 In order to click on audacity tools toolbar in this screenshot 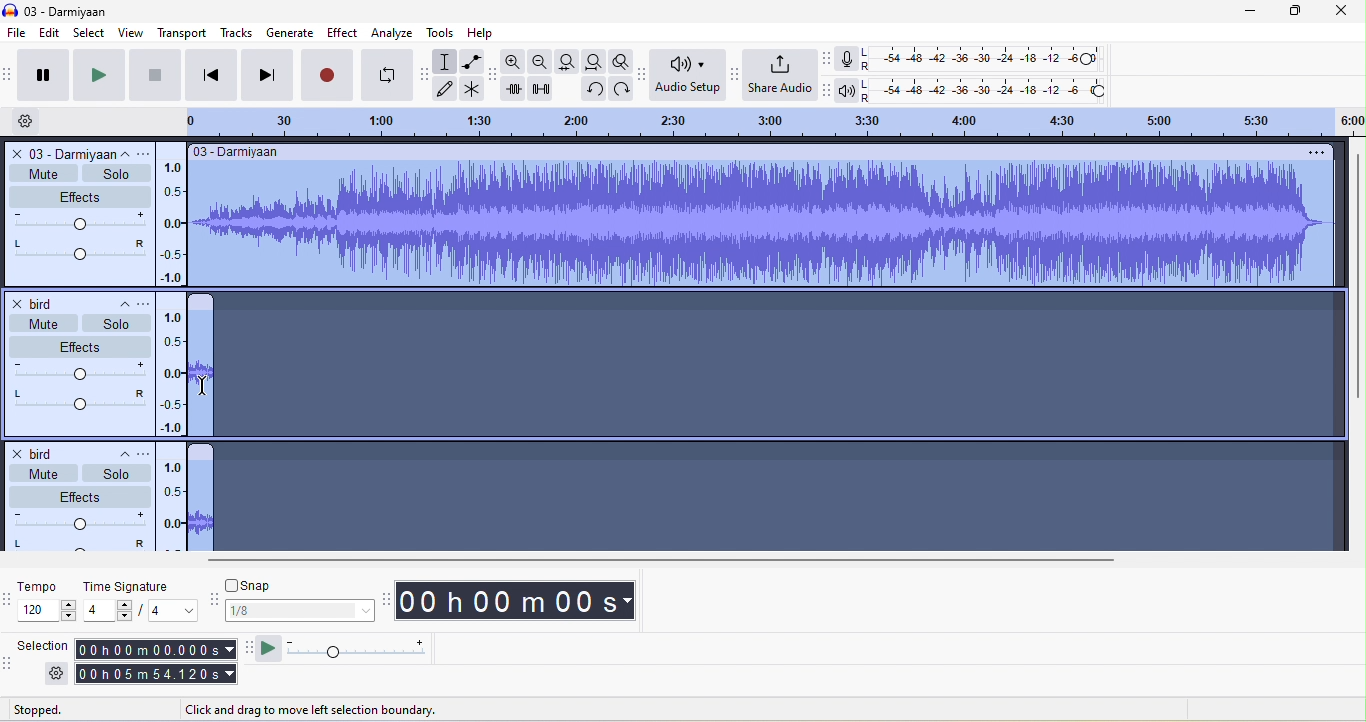, I will do `click(426, 75)`.